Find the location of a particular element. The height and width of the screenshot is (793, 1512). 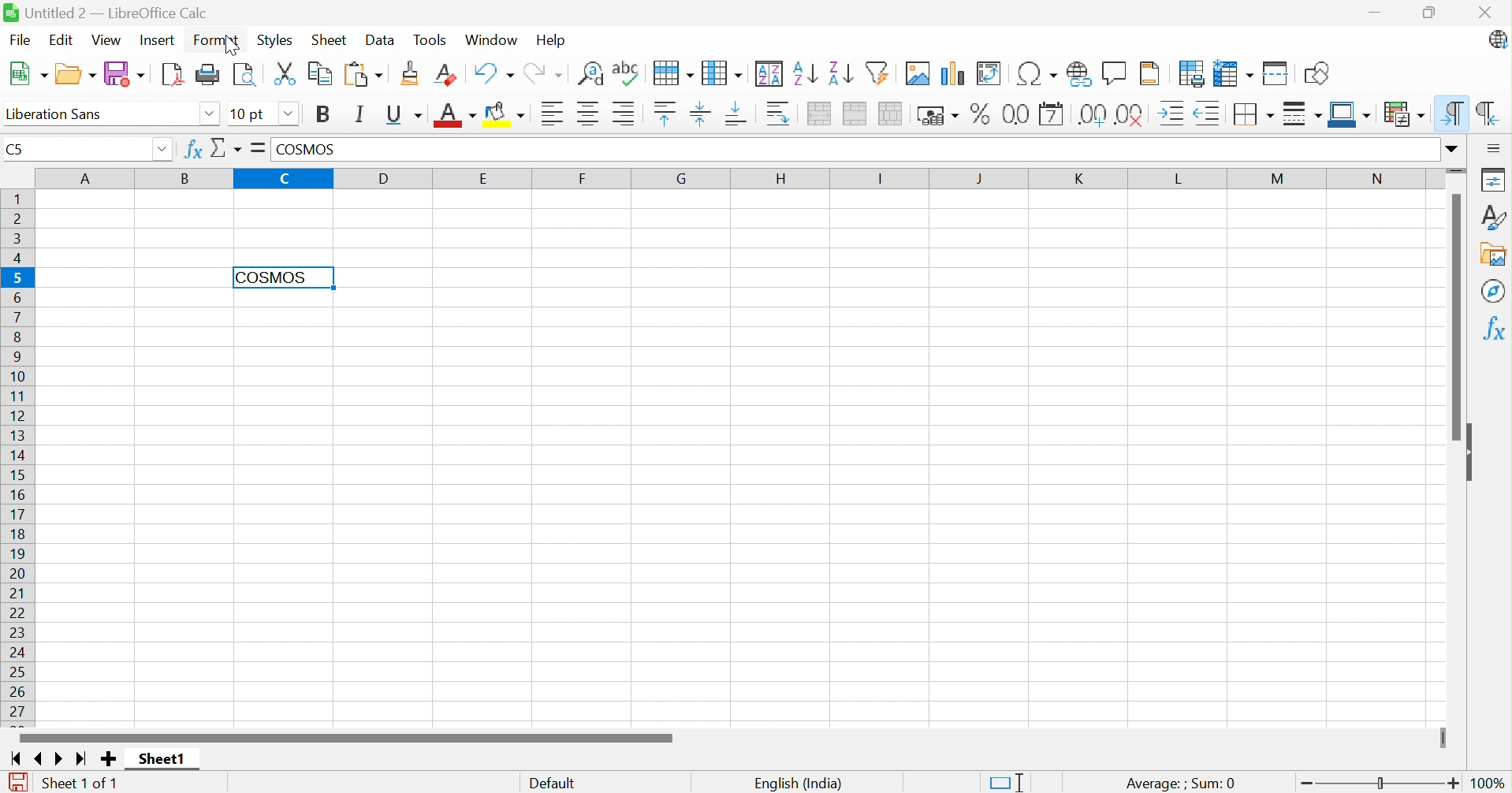

Column is located at coordinates (724, 72).